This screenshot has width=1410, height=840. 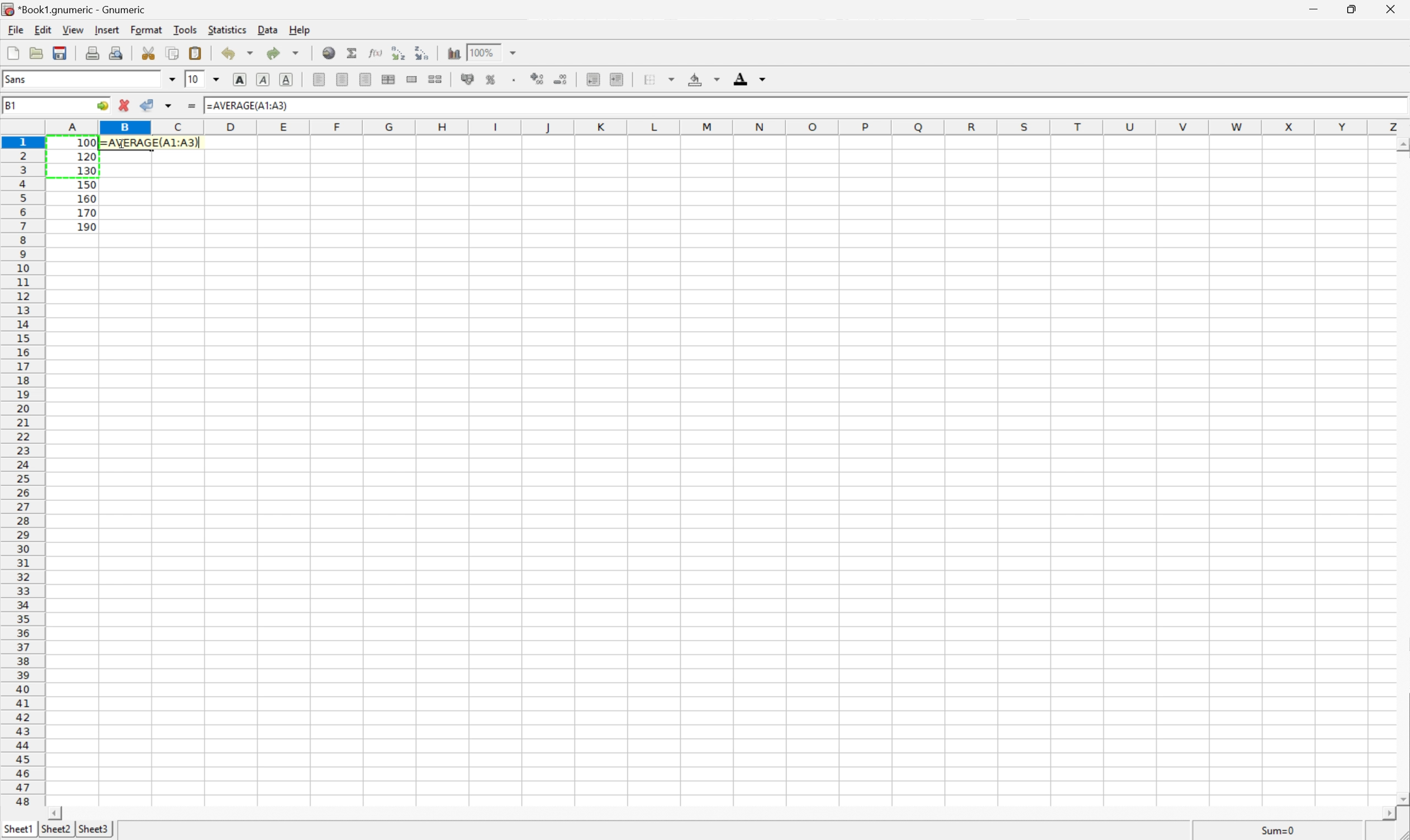 I want to click on Center horizontally across selection, so click(x=388, y=79).